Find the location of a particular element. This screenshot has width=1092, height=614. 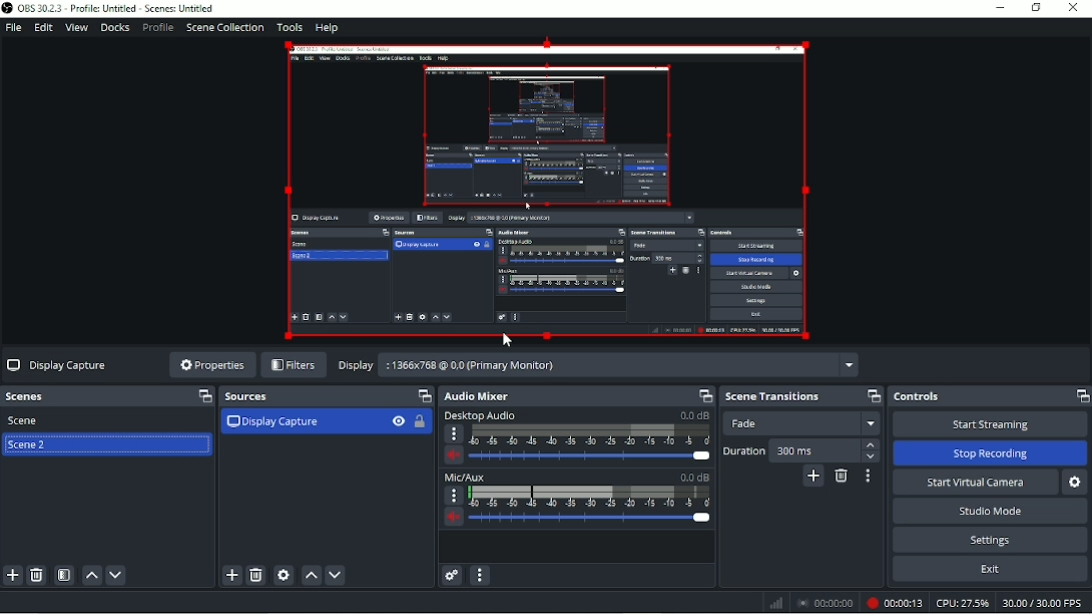

Profile is located at coordinates (157, 28).